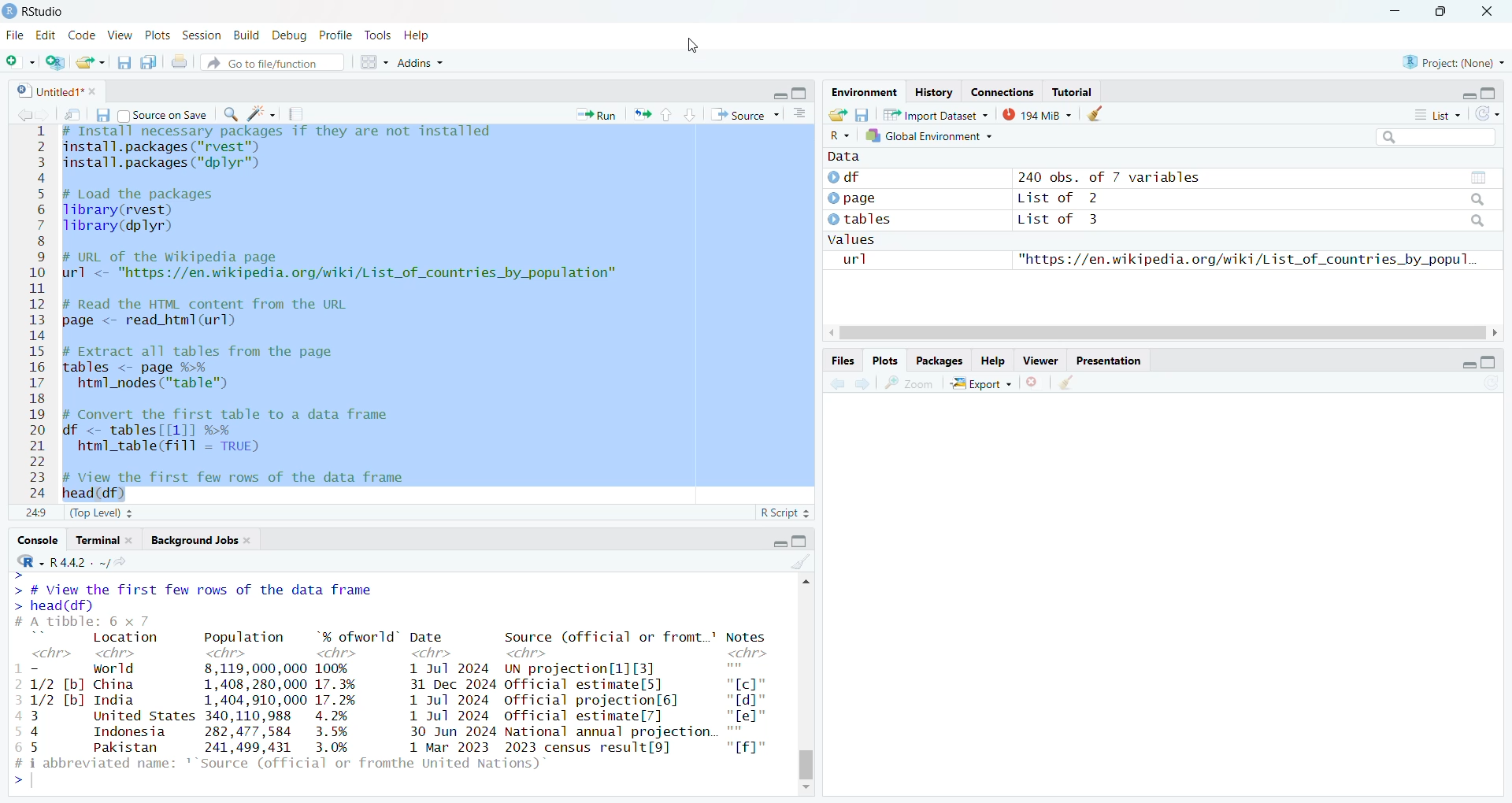 The height and width of the screenshot is (803, 1512). Describe the element at coordinates (1114, 177) in the screenshot. I see `240 obs. of 7 variables` at that location.